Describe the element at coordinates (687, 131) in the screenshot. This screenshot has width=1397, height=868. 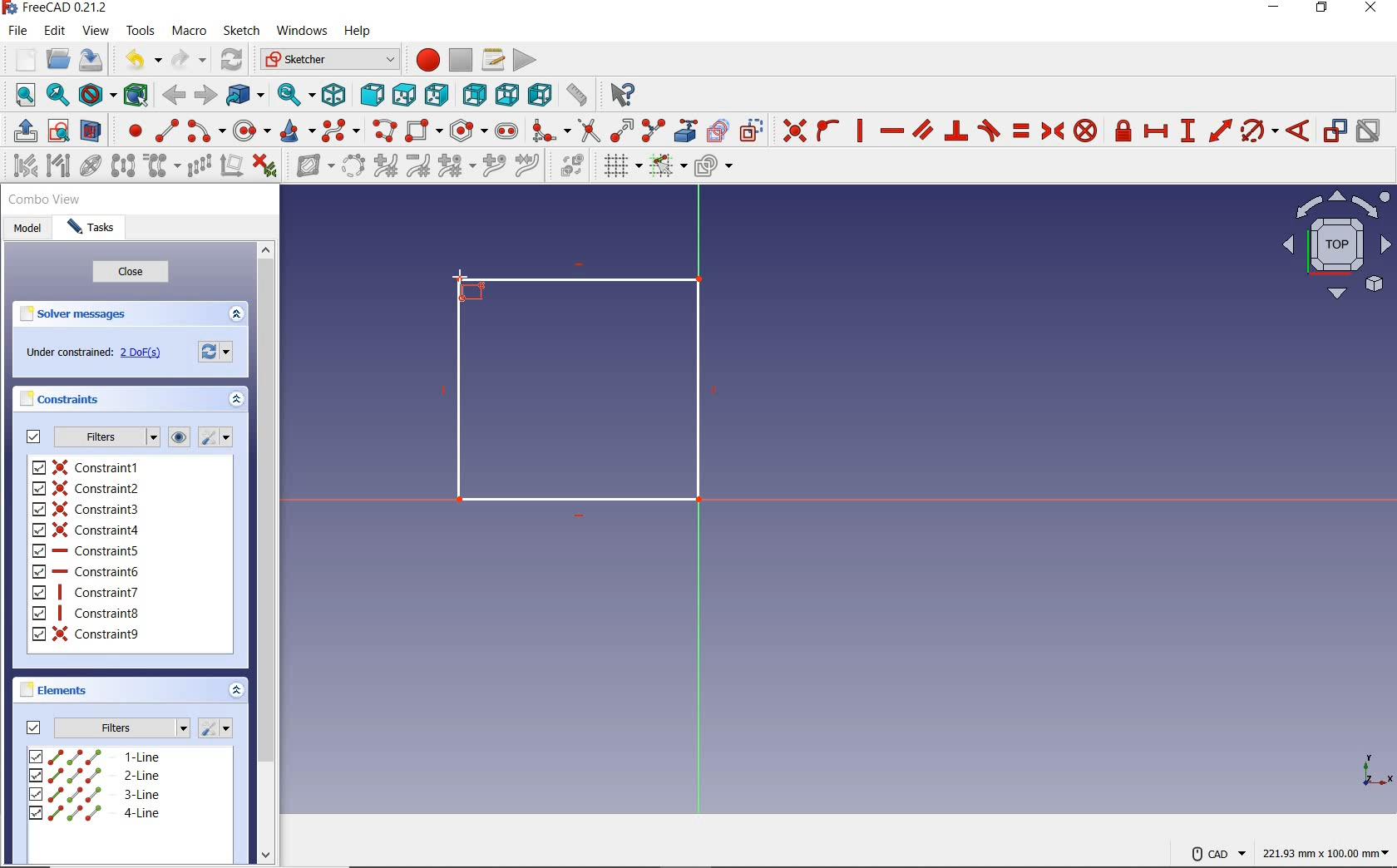
I see `create external geometry` at that location.